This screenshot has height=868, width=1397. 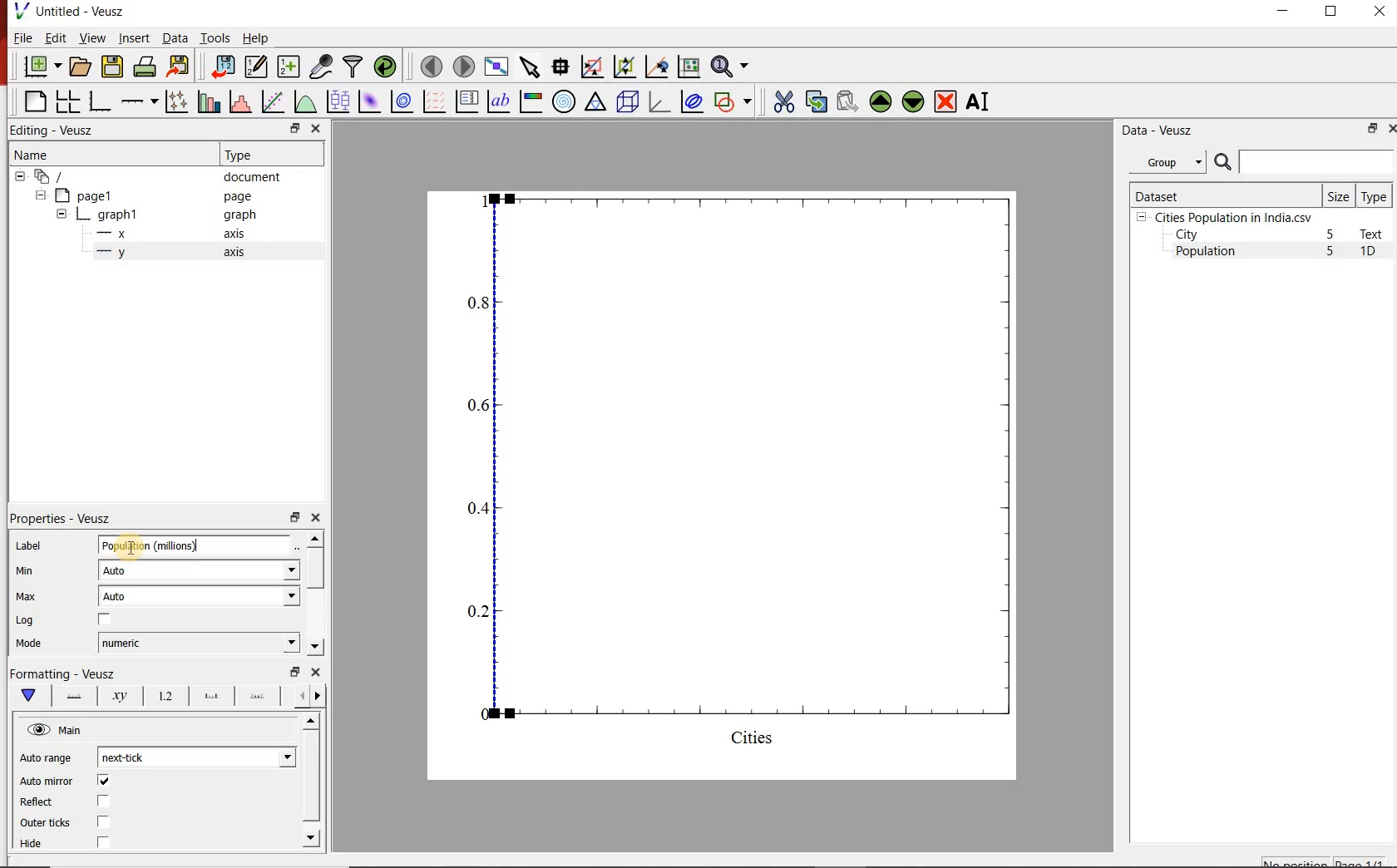 What do you see at coordinates (1187, 234) in the screenshot?
I see `City` at bounding box center [1187, 234].